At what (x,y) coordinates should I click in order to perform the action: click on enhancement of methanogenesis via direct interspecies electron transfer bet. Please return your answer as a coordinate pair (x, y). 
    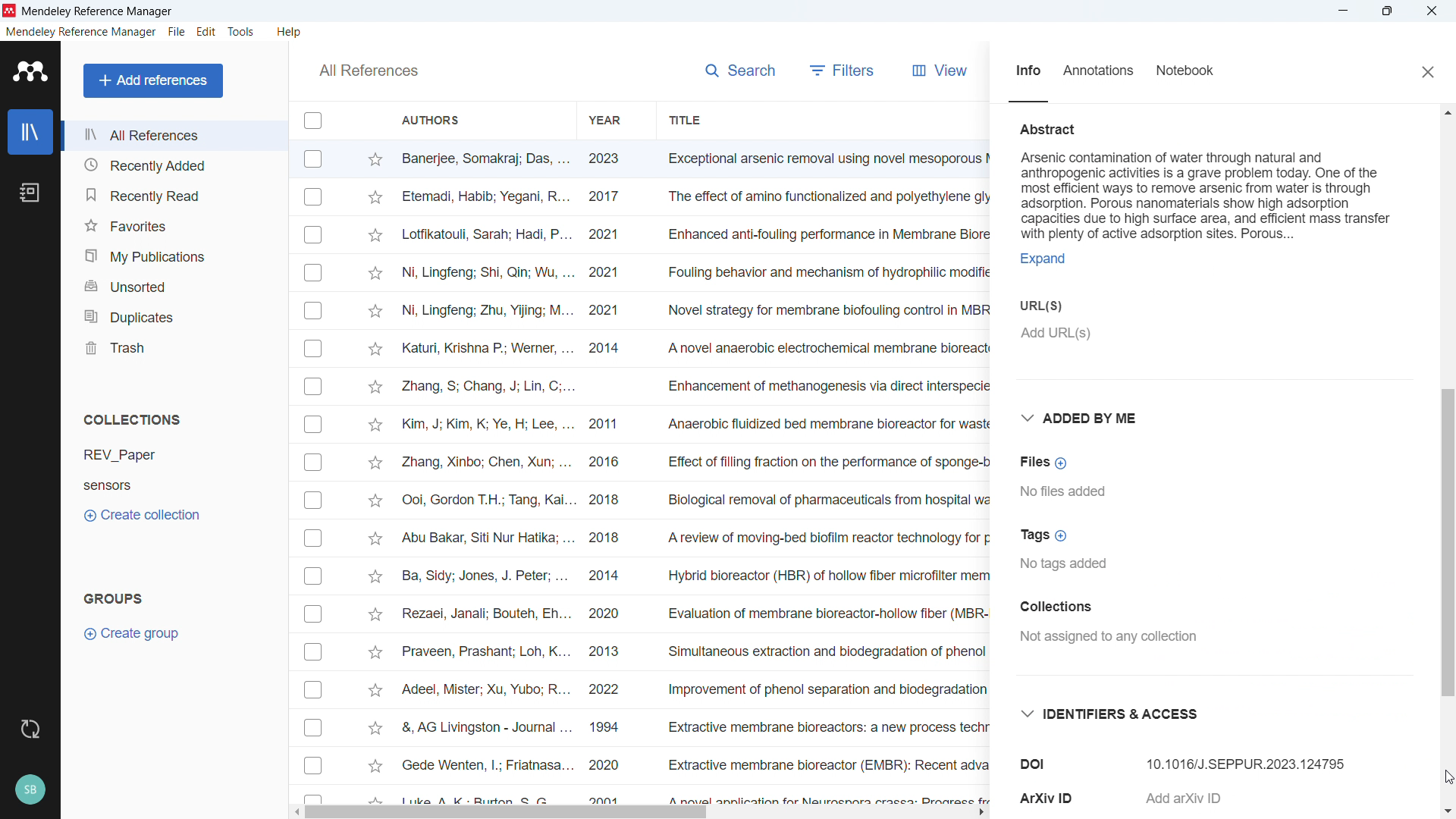
    Looking at the image, I should click on (827, 386).